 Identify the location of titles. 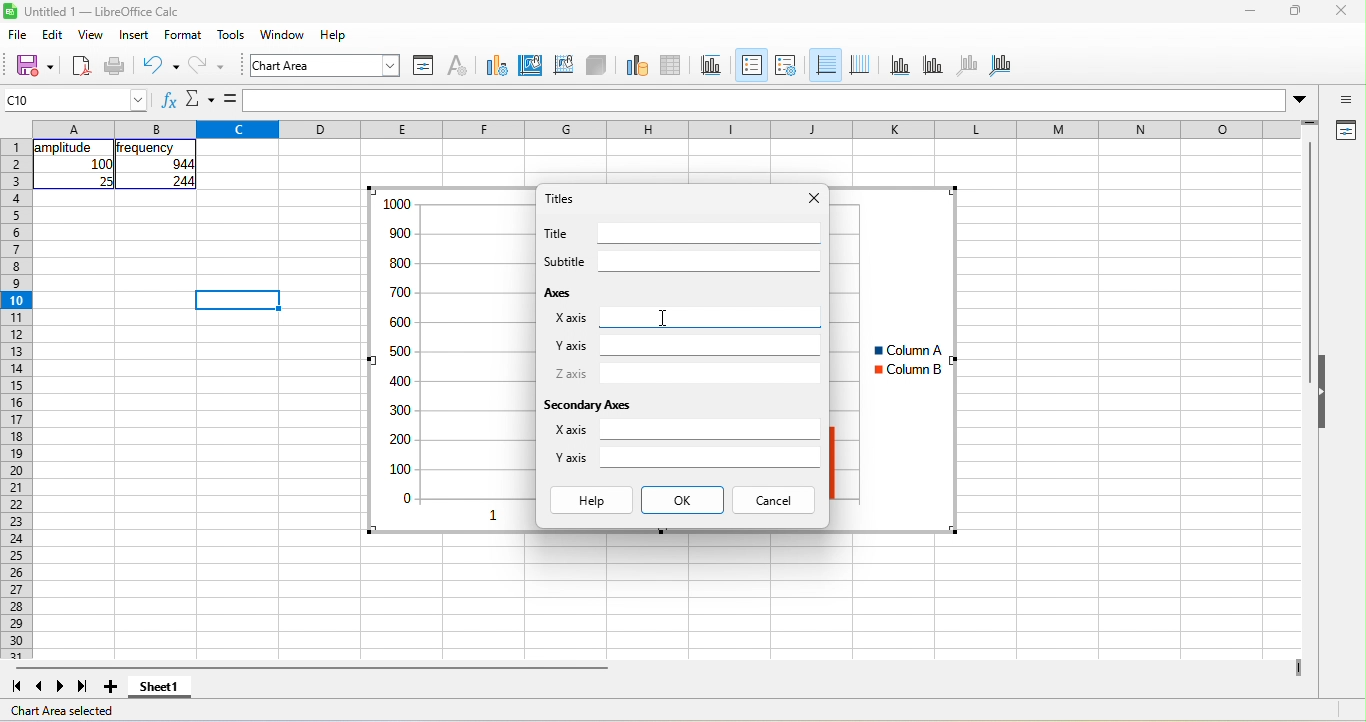
(712, 66).